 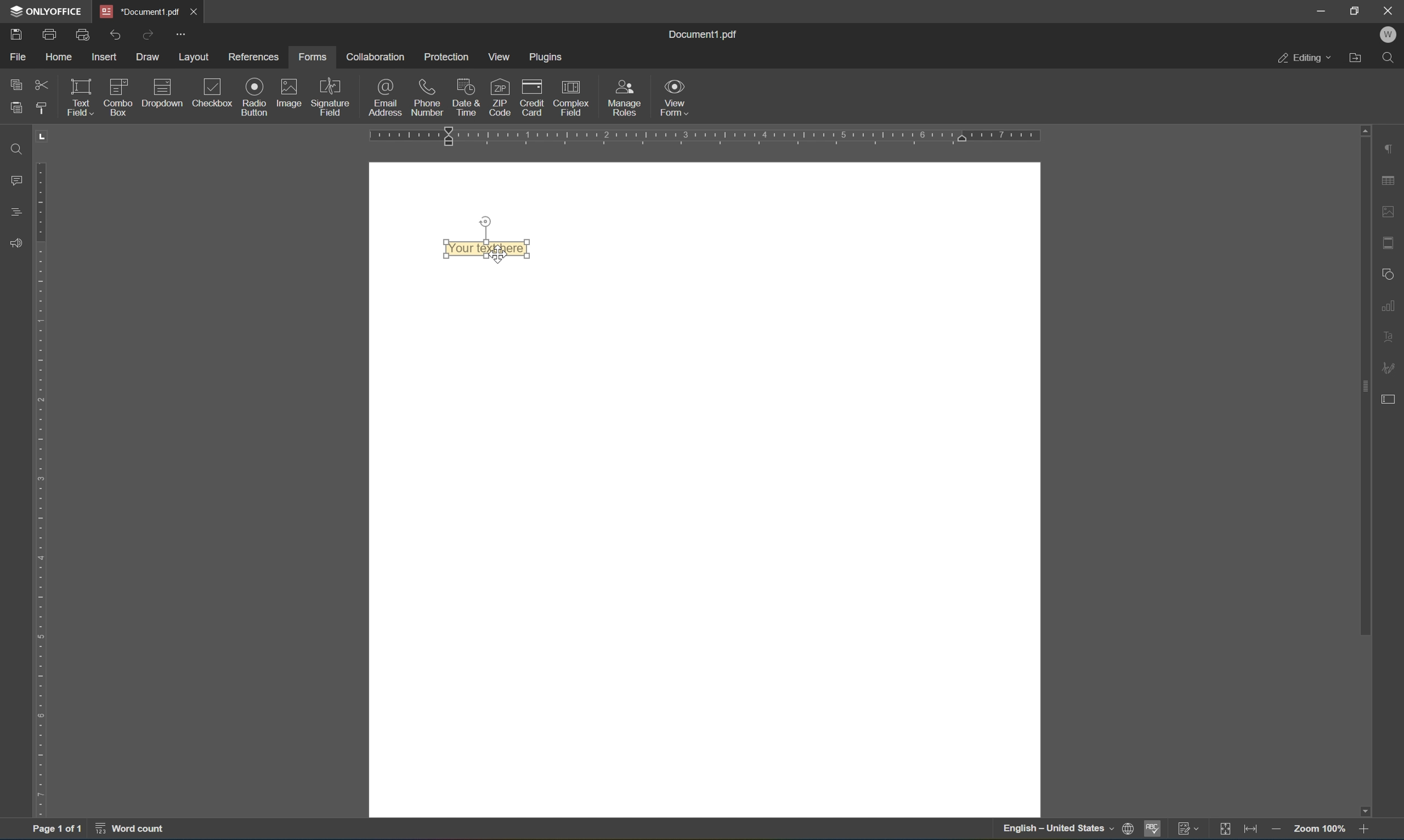 What do you see at coordinates (378, 58) in the screenshot?
I see `collaboration` at bounding box center [378, 58].